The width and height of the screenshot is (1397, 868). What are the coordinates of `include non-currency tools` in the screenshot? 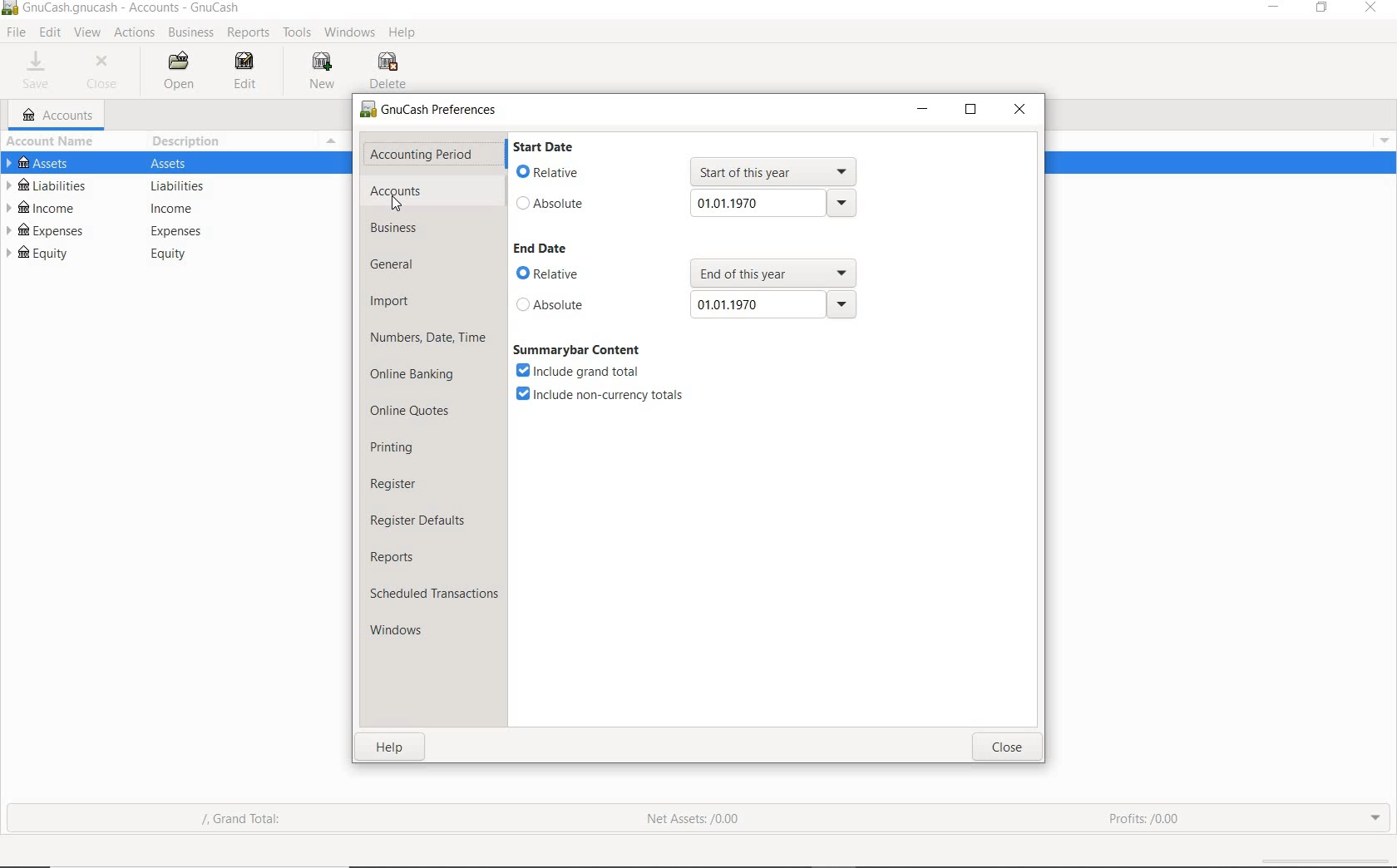 It's located at (601, 397).